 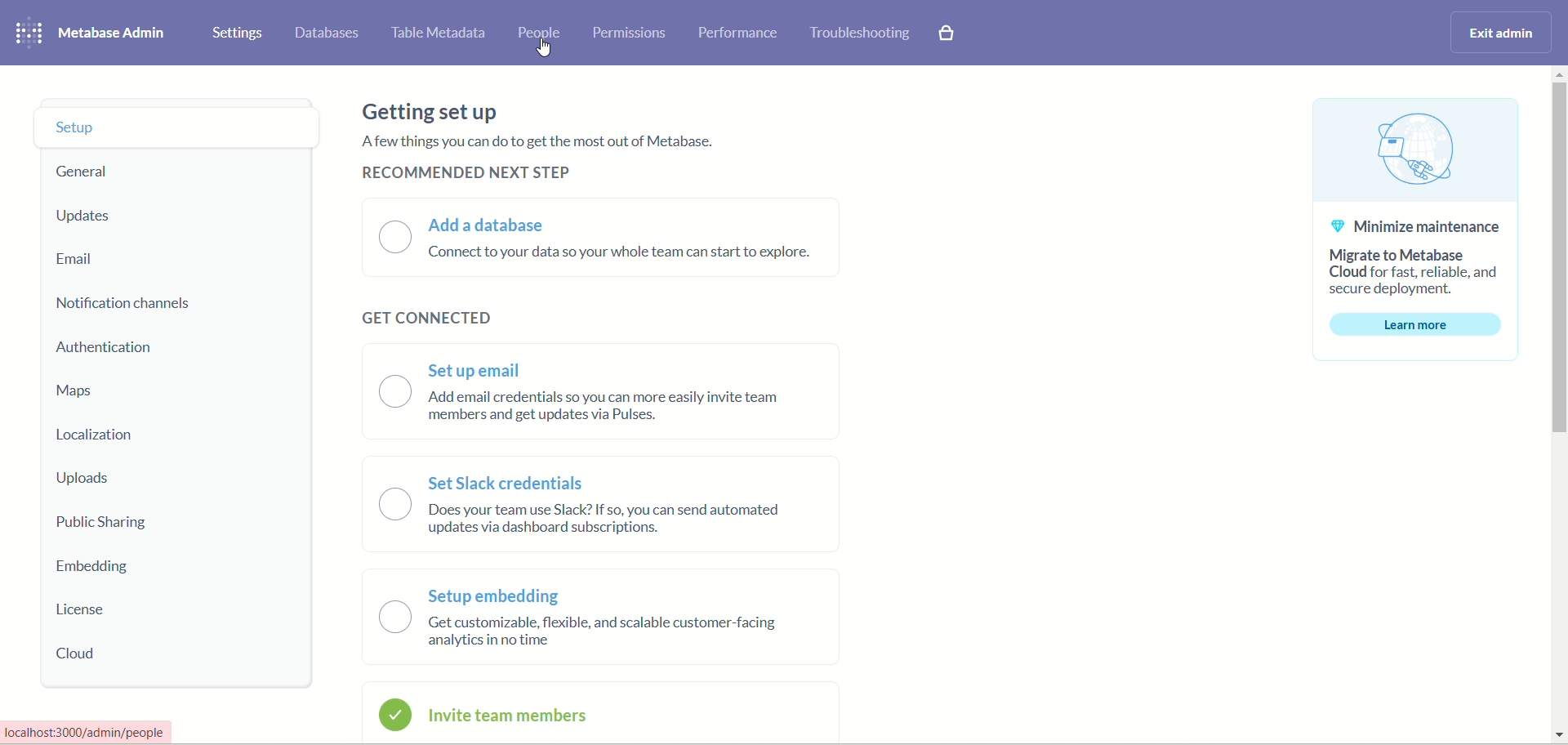 What do you see at coordinates (394, 545) in the screenshot?
I see `toggle button` at bounding box center [394, 545].